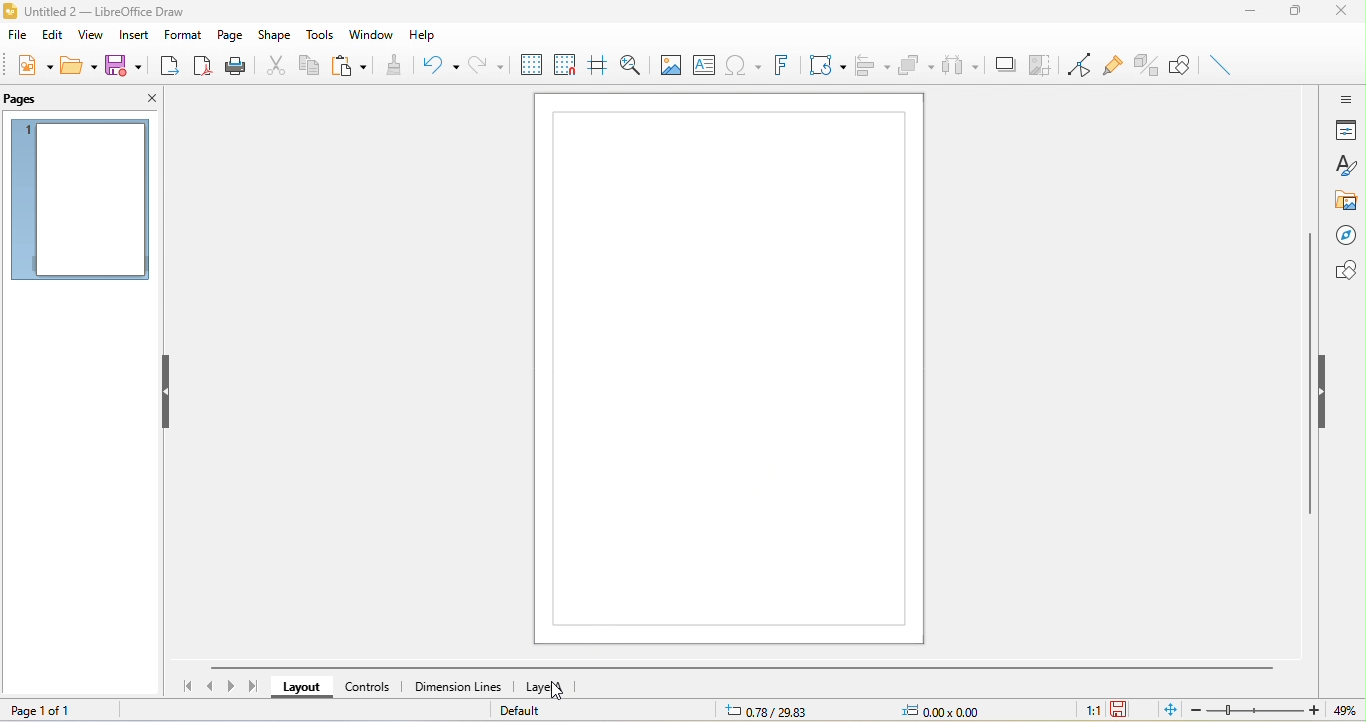  I want to click on page 1 canvas, so click(732, 368).